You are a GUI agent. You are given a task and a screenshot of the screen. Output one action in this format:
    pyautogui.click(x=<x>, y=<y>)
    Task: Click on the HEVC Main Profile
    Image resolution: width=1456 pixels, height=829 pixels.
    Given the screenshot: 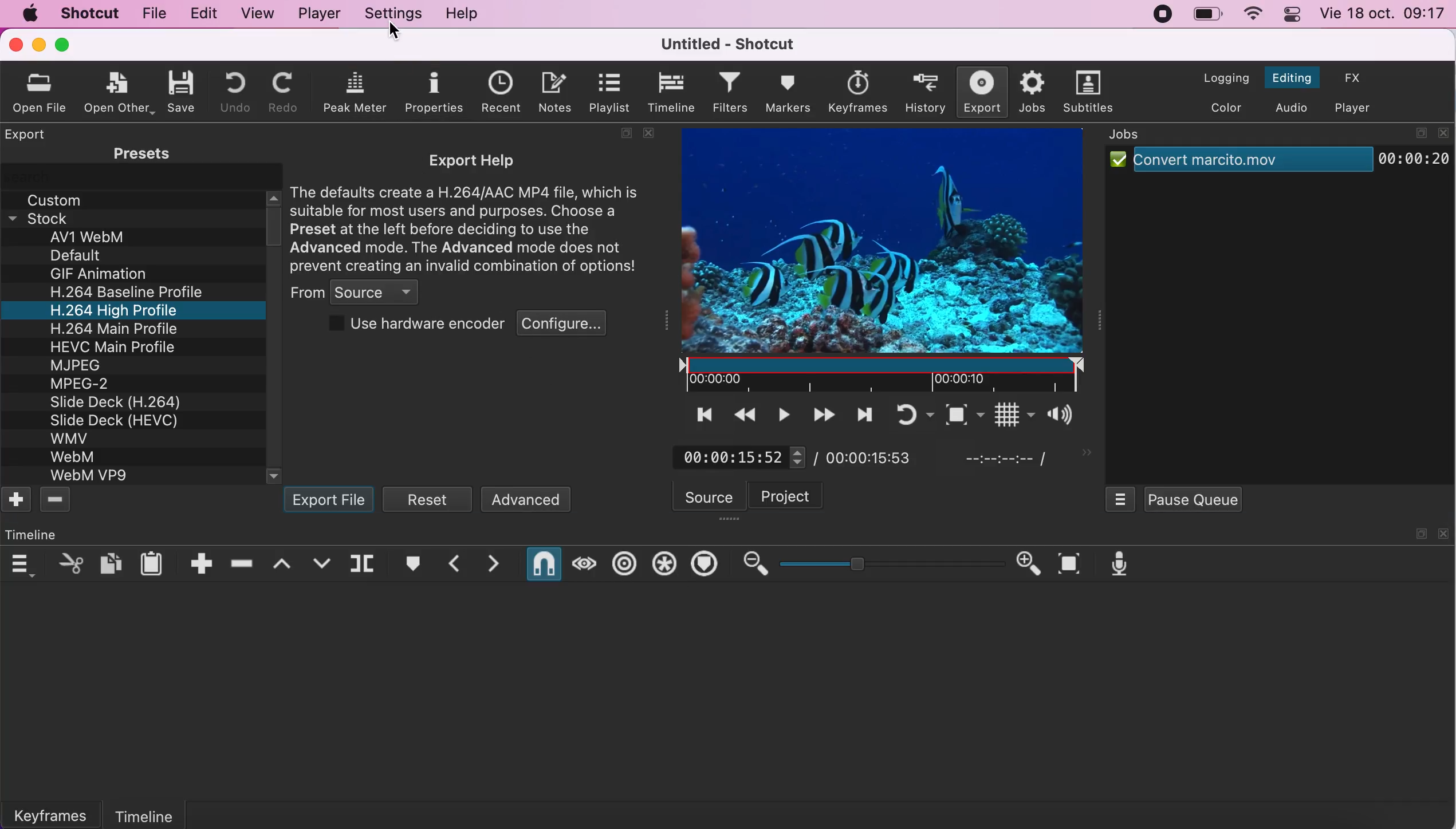 What is the action you would take?
    pyautogui.click(x=114, y=346)
    